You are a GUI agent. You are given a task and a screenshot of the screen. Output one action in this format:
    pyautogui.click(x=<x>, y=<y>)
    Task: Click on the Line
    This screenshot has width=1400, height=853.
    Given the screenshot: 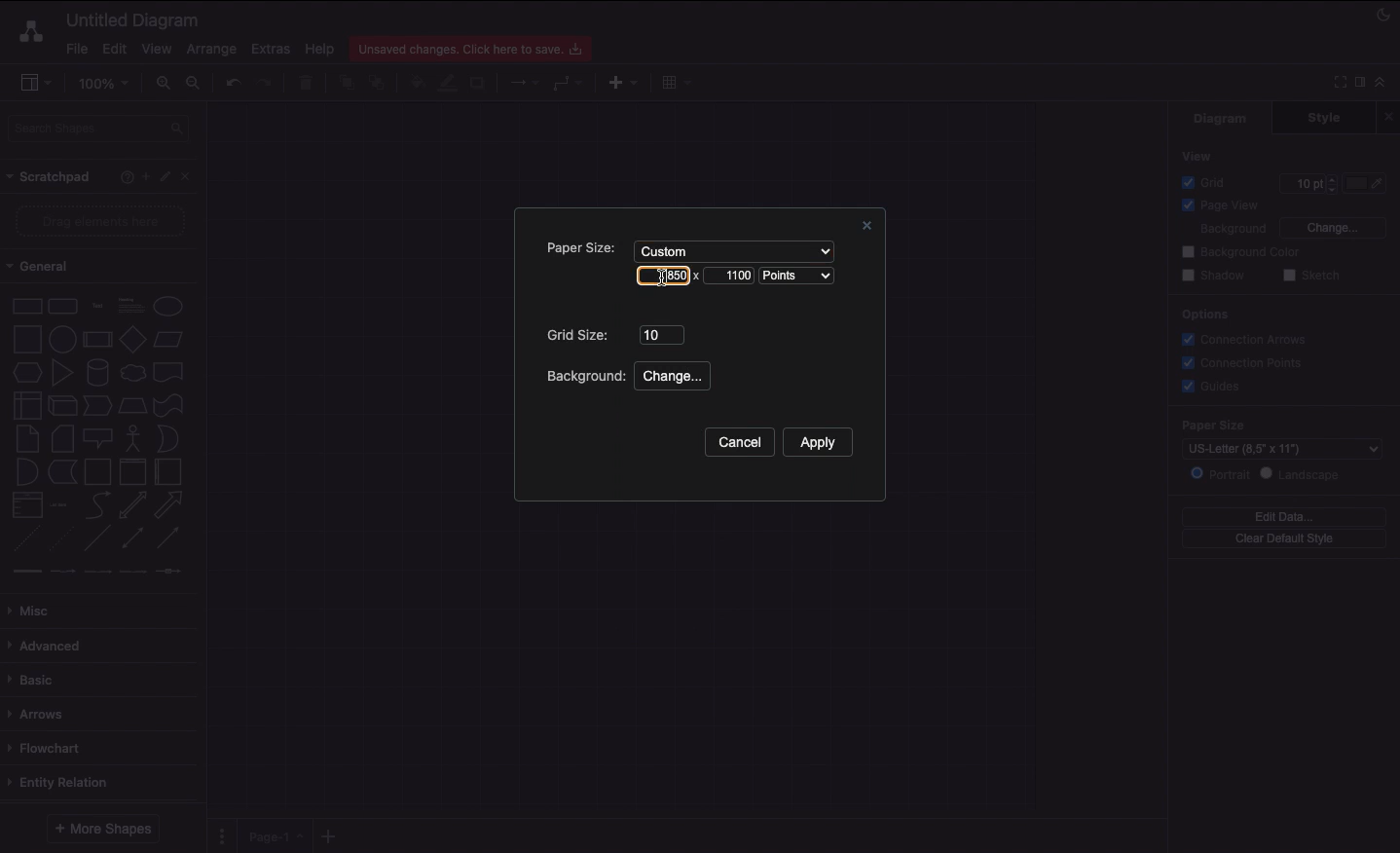 What is the action you would take?
    pyautogui.click(x=97, y=539)
    